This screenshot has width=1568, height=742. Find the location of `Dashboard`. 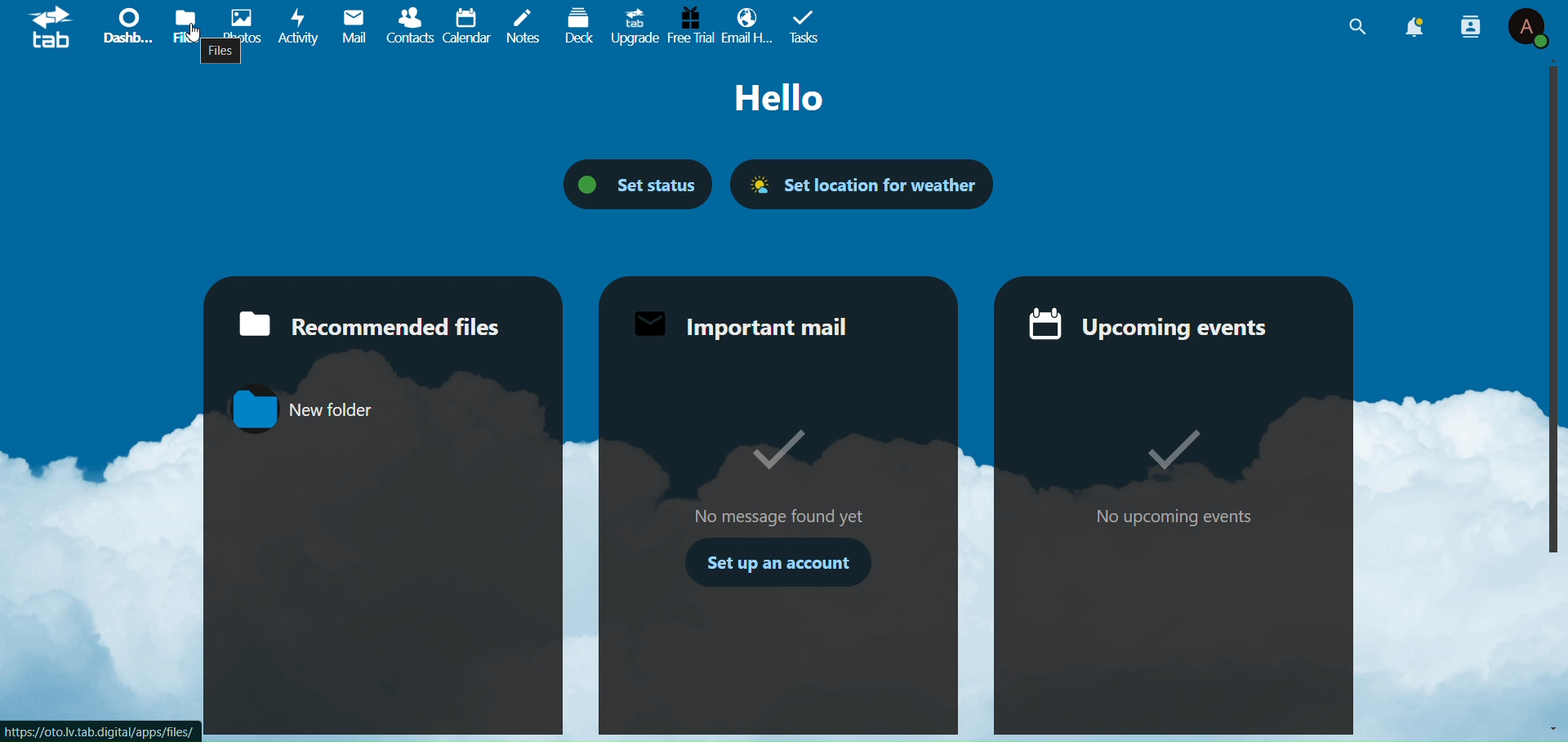

Dashboard is located at coordinates (123, 25).